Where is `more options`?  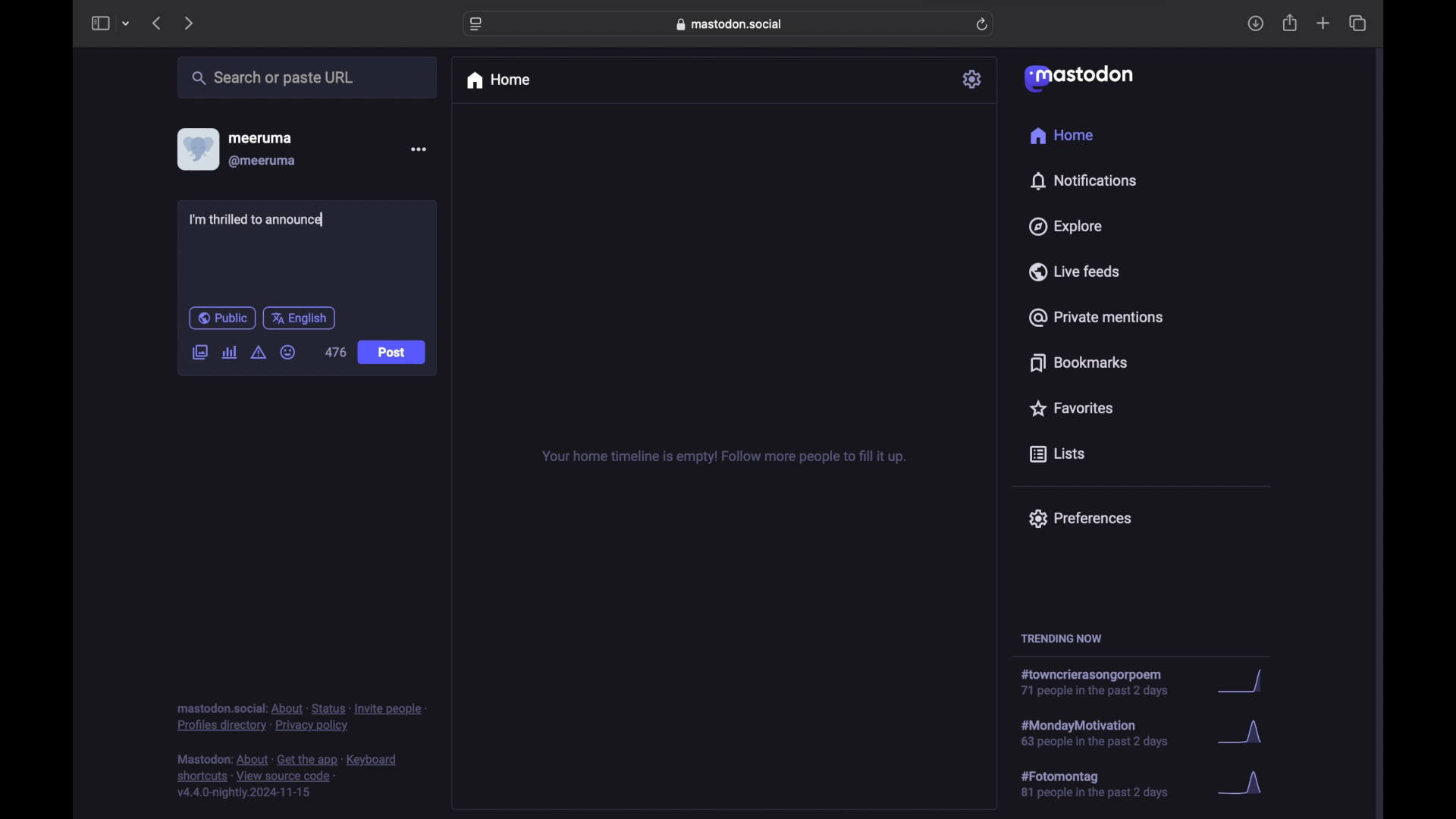
more options is located at coordinates (418, 149).